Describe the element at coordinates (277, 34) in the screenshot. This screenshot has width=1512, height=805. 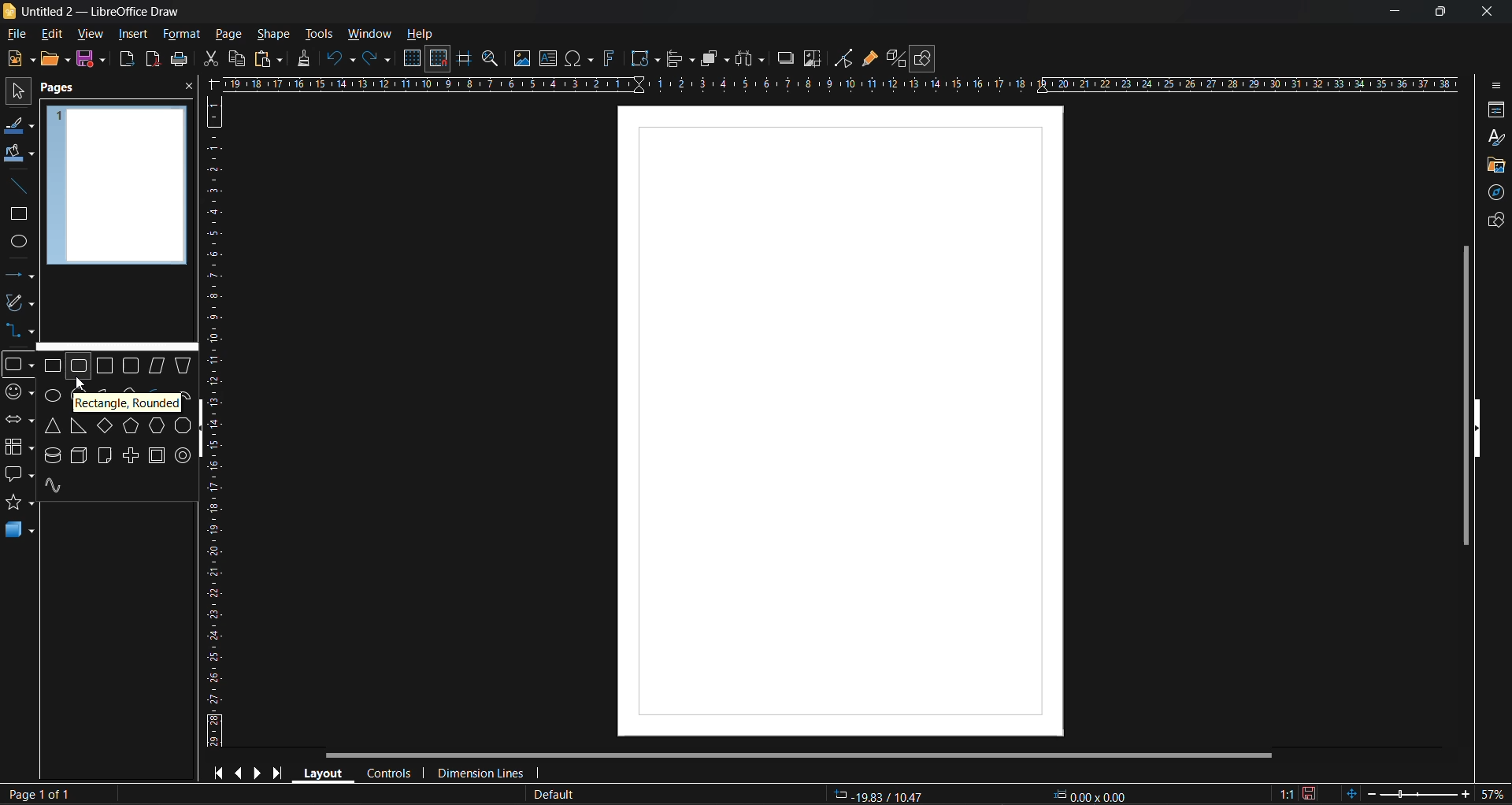
I see `shape` at that location.